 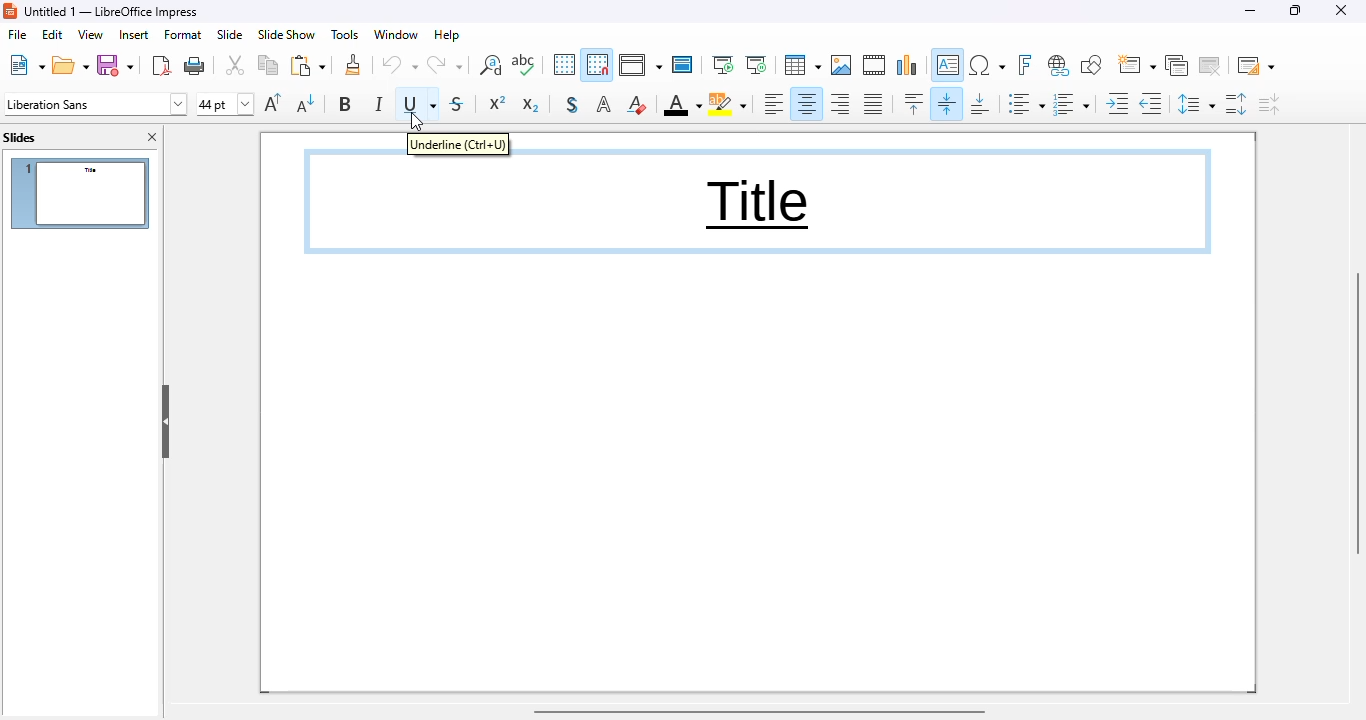 I want to click on window, so click(x=397, y=34).